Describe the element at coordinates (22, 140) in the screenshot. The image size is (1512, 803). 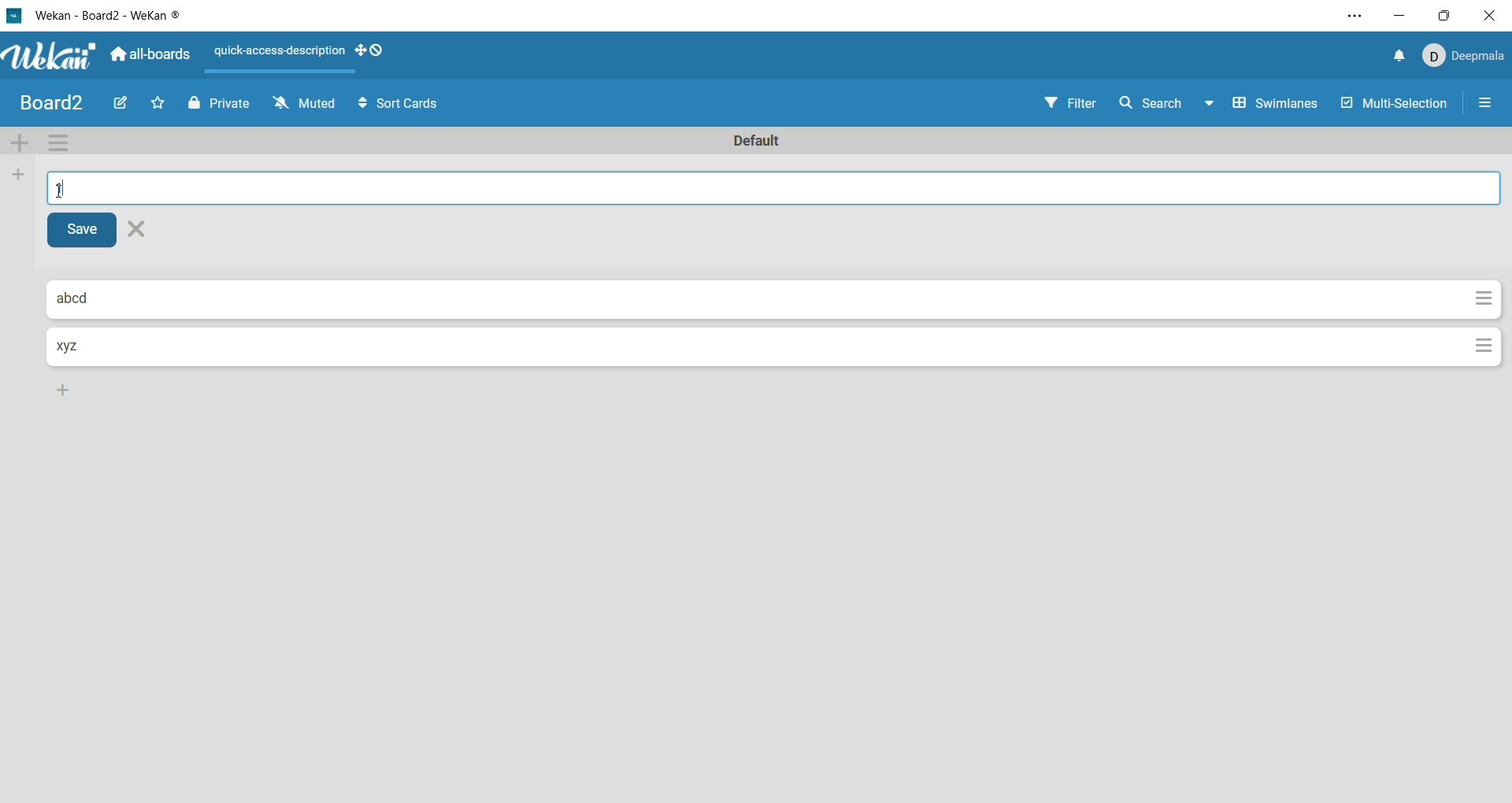
I see `add swimlane` at that location.